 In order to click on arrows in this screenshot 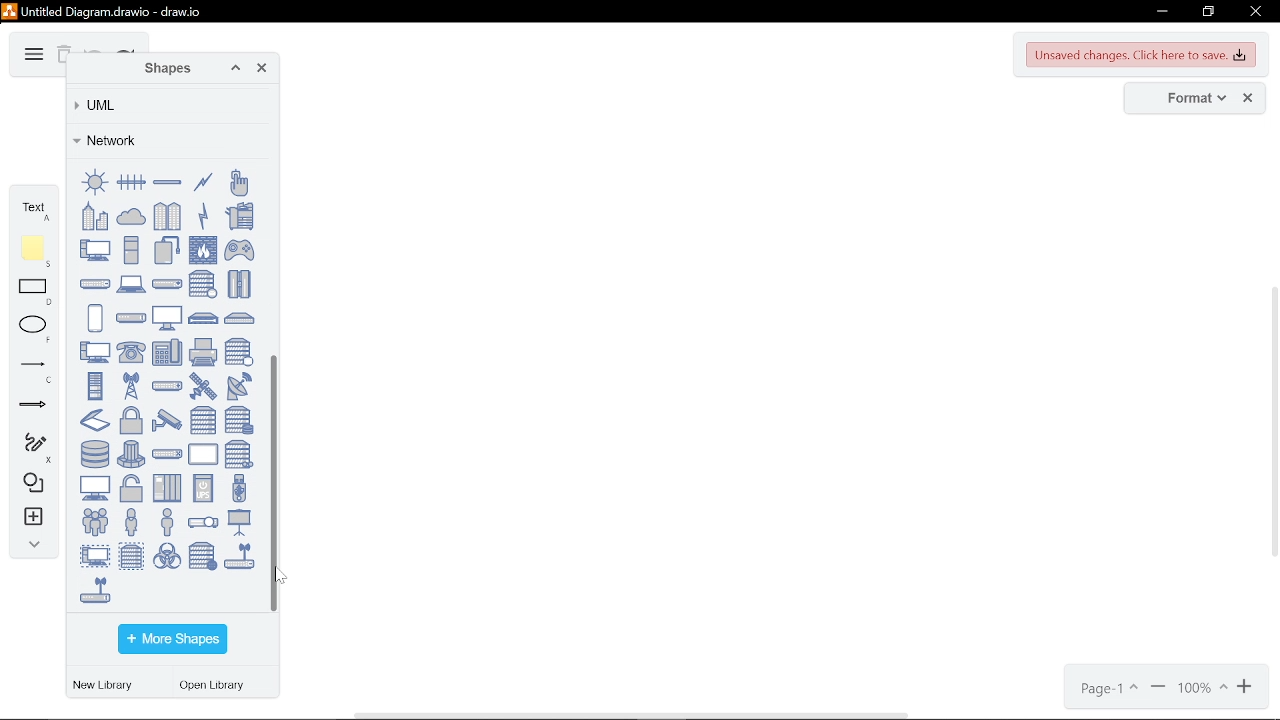, I will do `click(33, 408)`.